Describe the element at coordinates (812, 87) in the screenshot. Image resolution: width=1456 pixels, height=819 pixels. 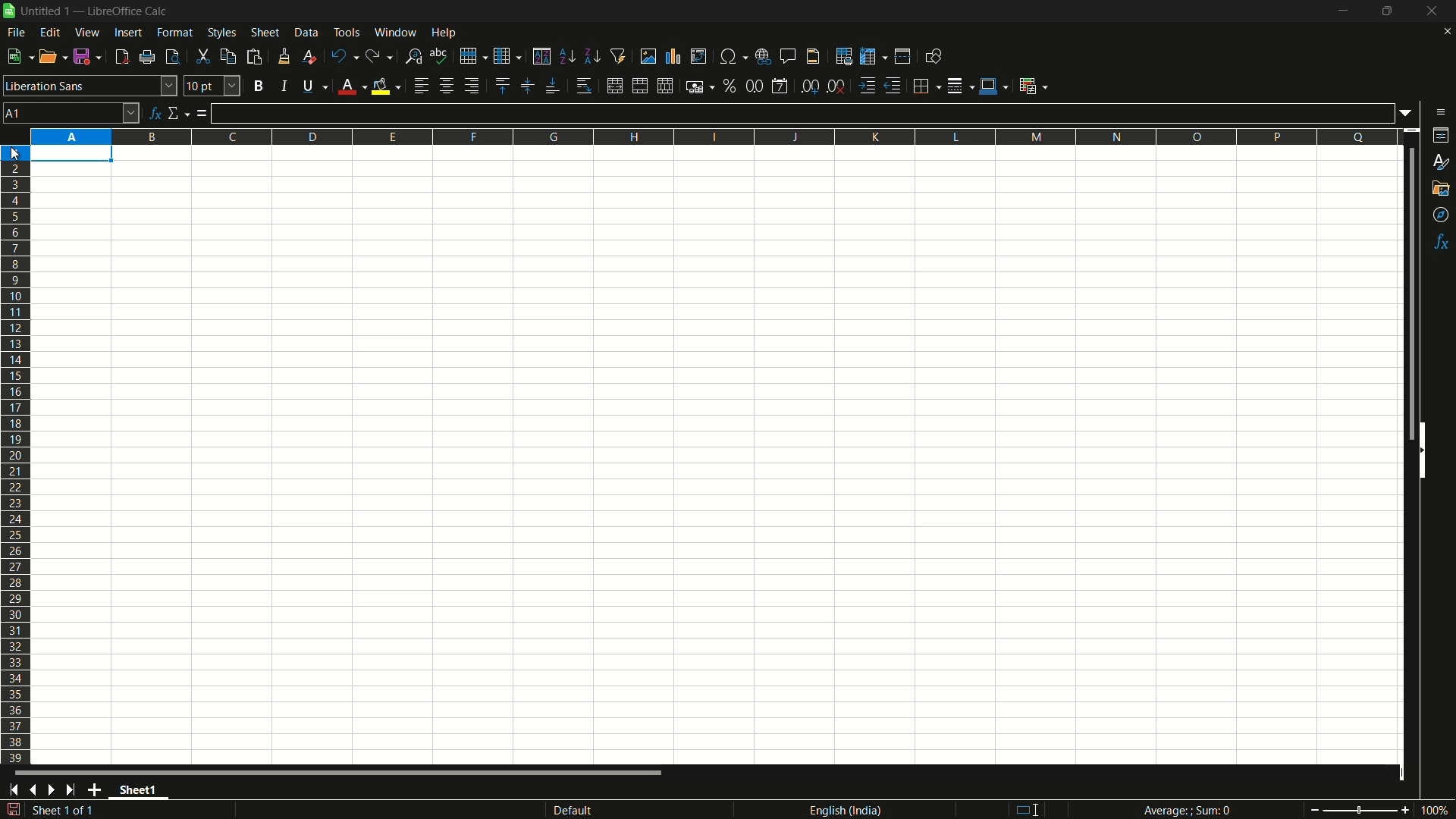
I see `add decimal place` at that location.